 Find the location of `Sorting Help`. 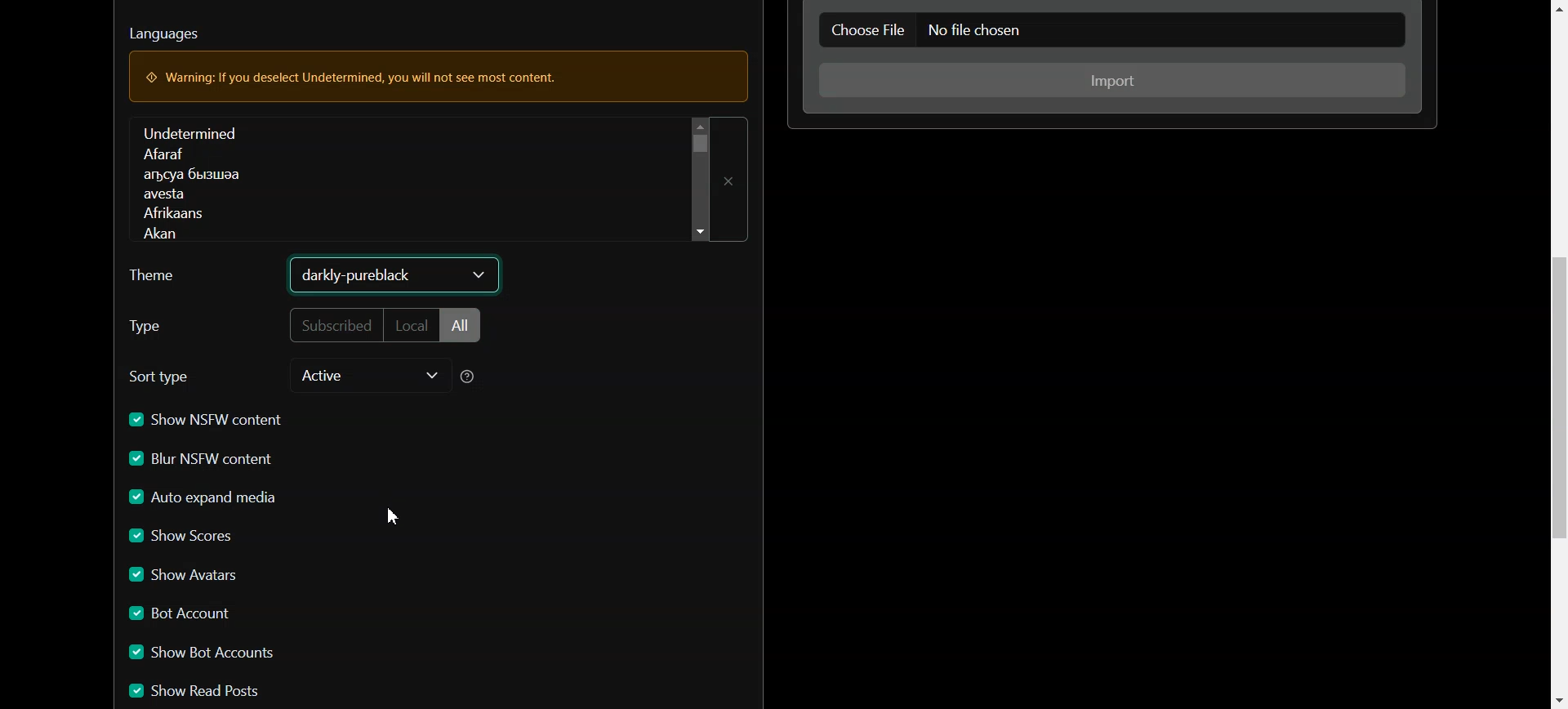

Sorting Help is located at coordinates (473, 378).